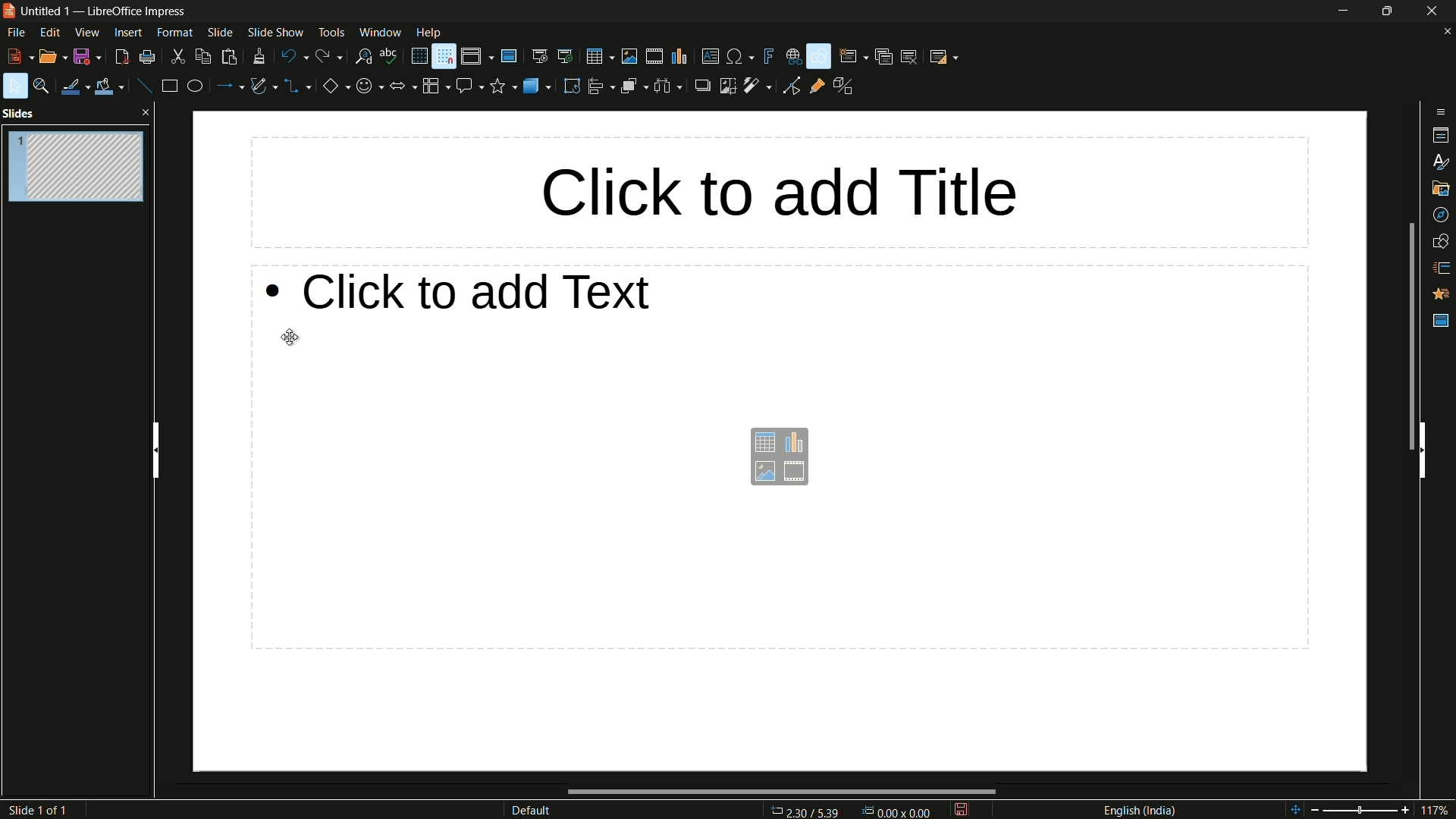  What do you see at coordinates (945, 56) in the screenshot?
I see `slide layout` at bounding box center [945, 56].